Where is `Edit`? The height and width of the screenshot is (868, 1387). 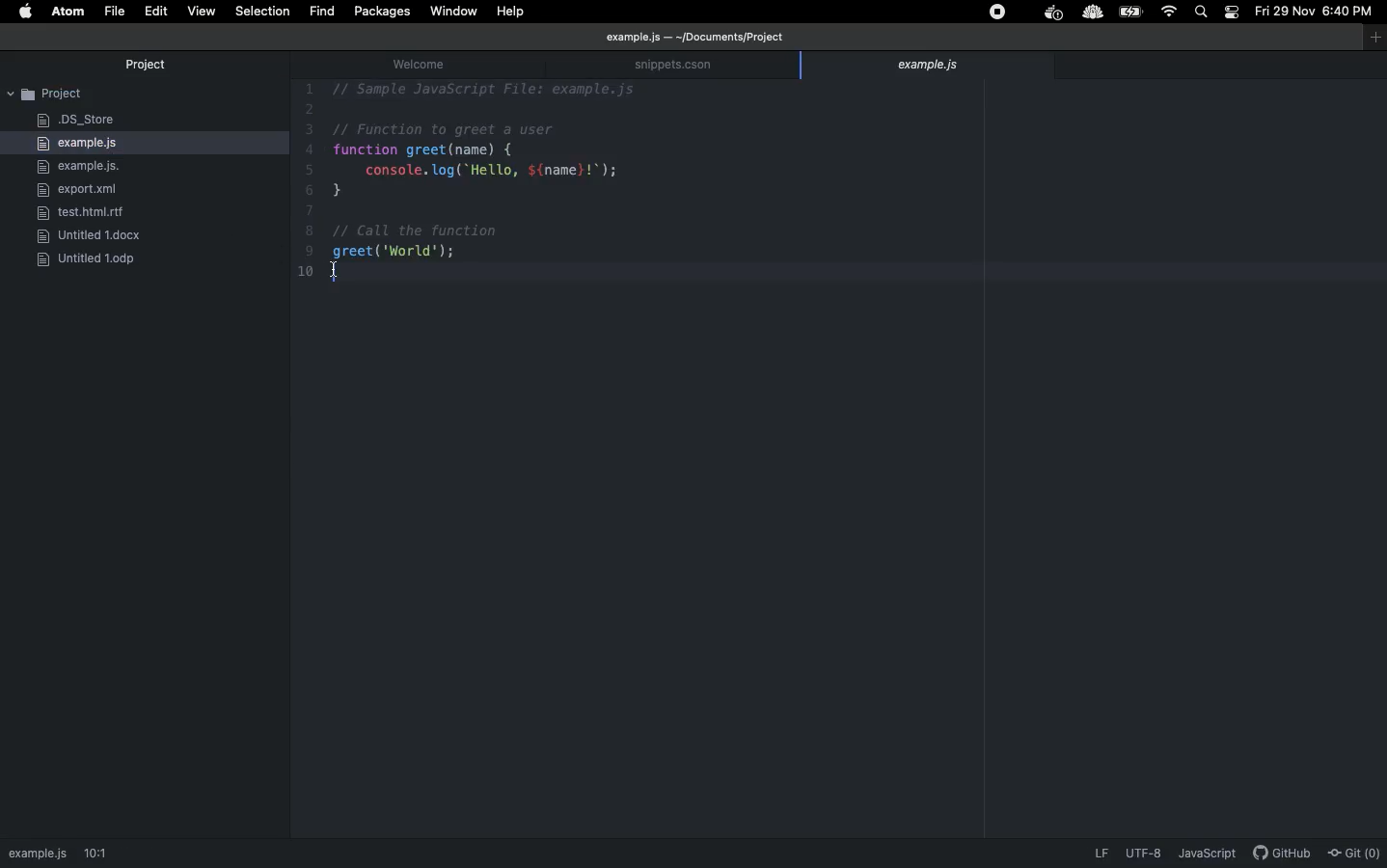
Edit is located at coordinates (156, 11).